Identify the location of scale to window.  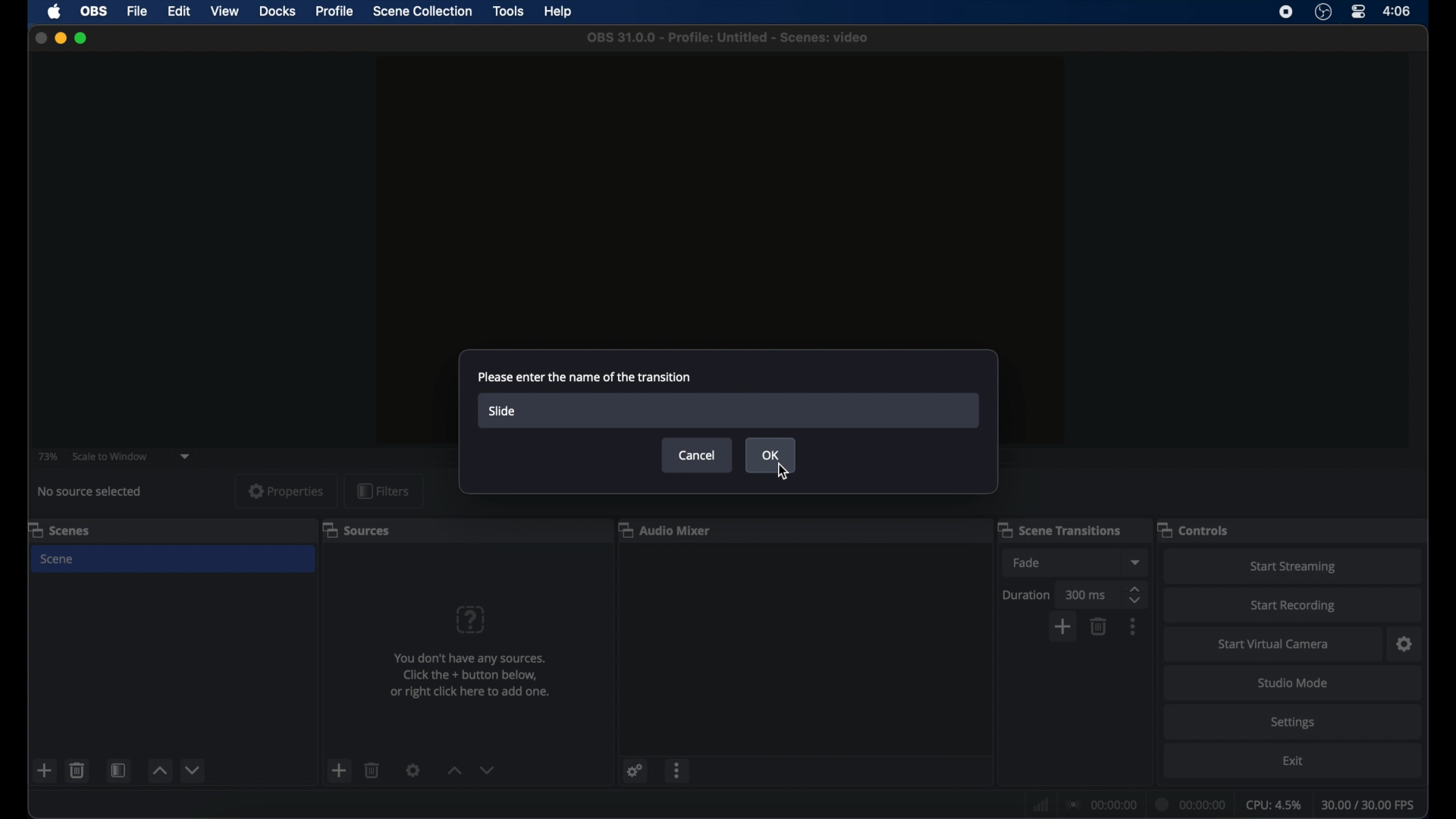
(110, 455).